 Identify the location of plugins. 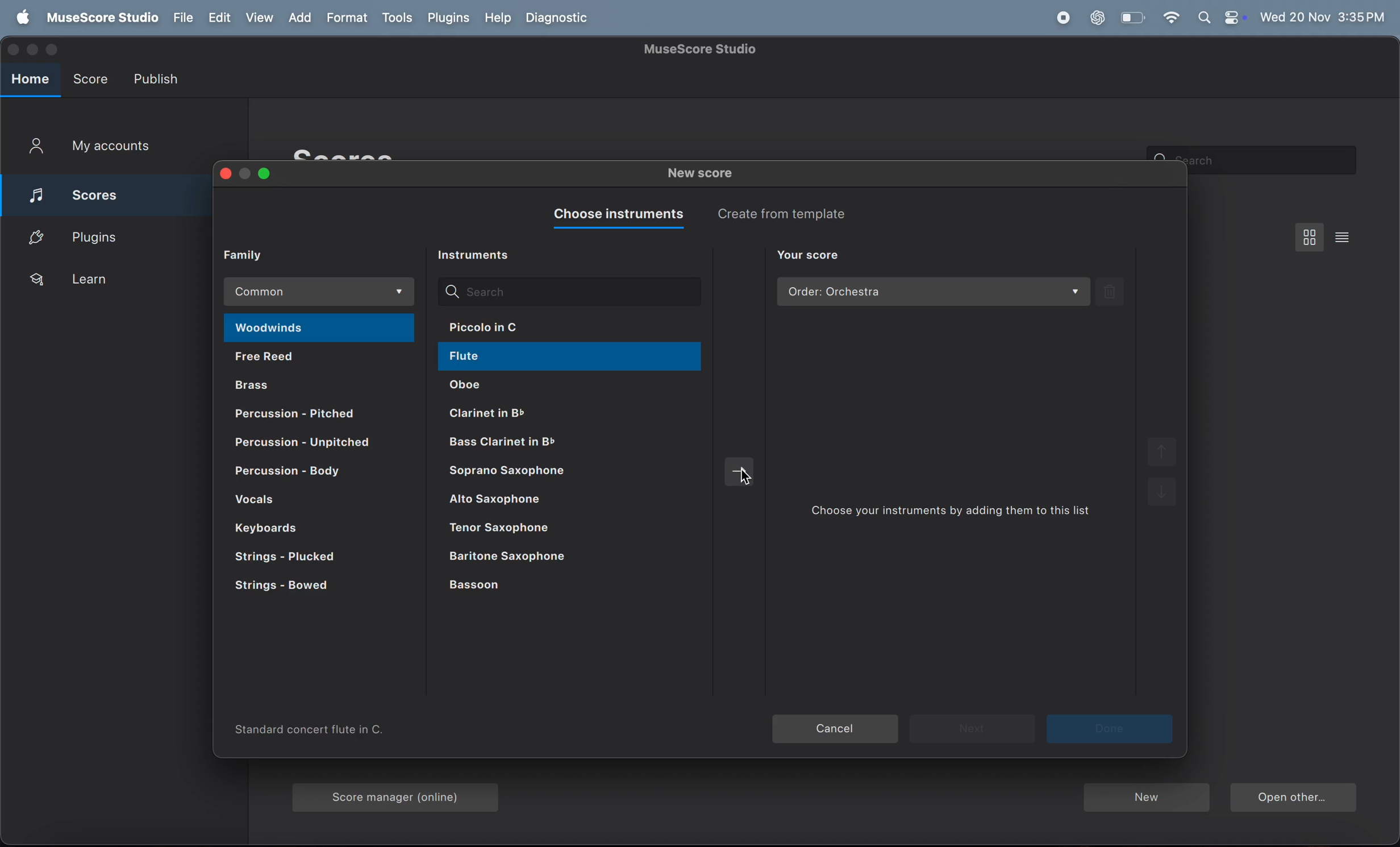
(101, 236).